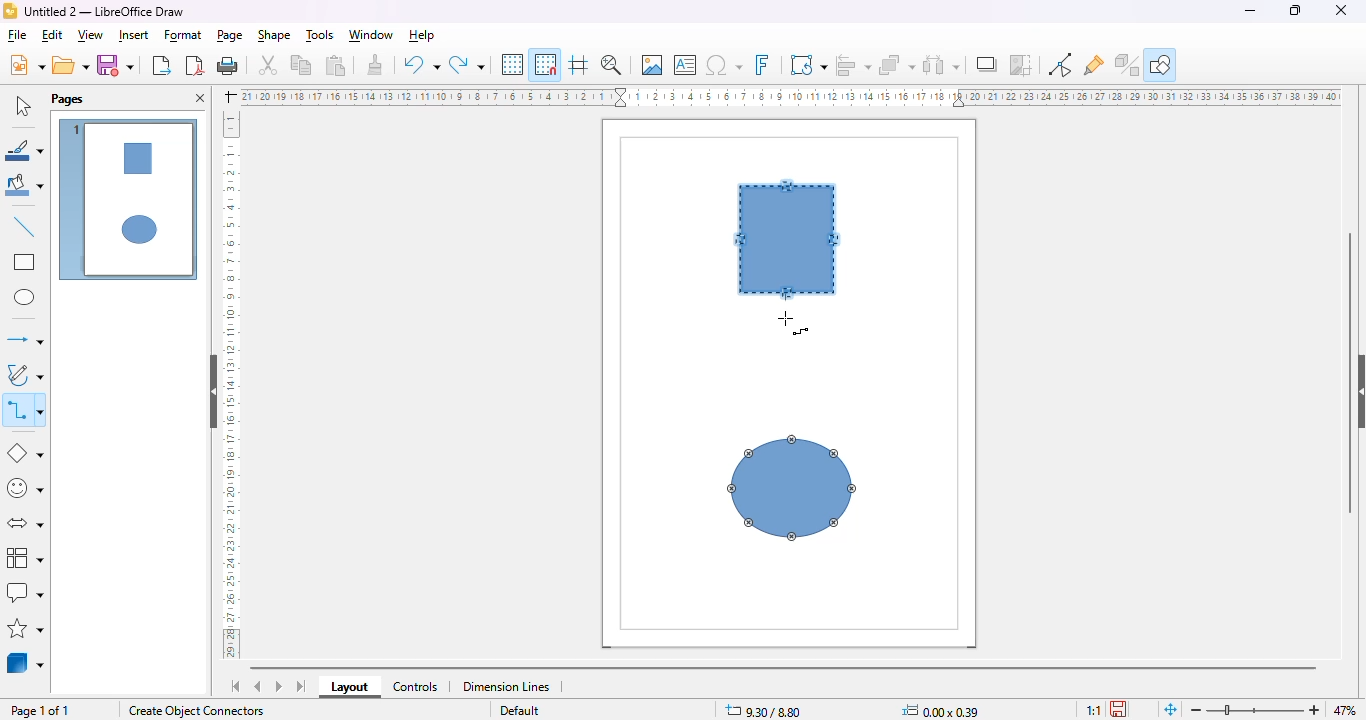 This screenshot has height=720, width=1366. Describe the element at coordinates (321, 35) in the screenshot. I see `tools` at that location.